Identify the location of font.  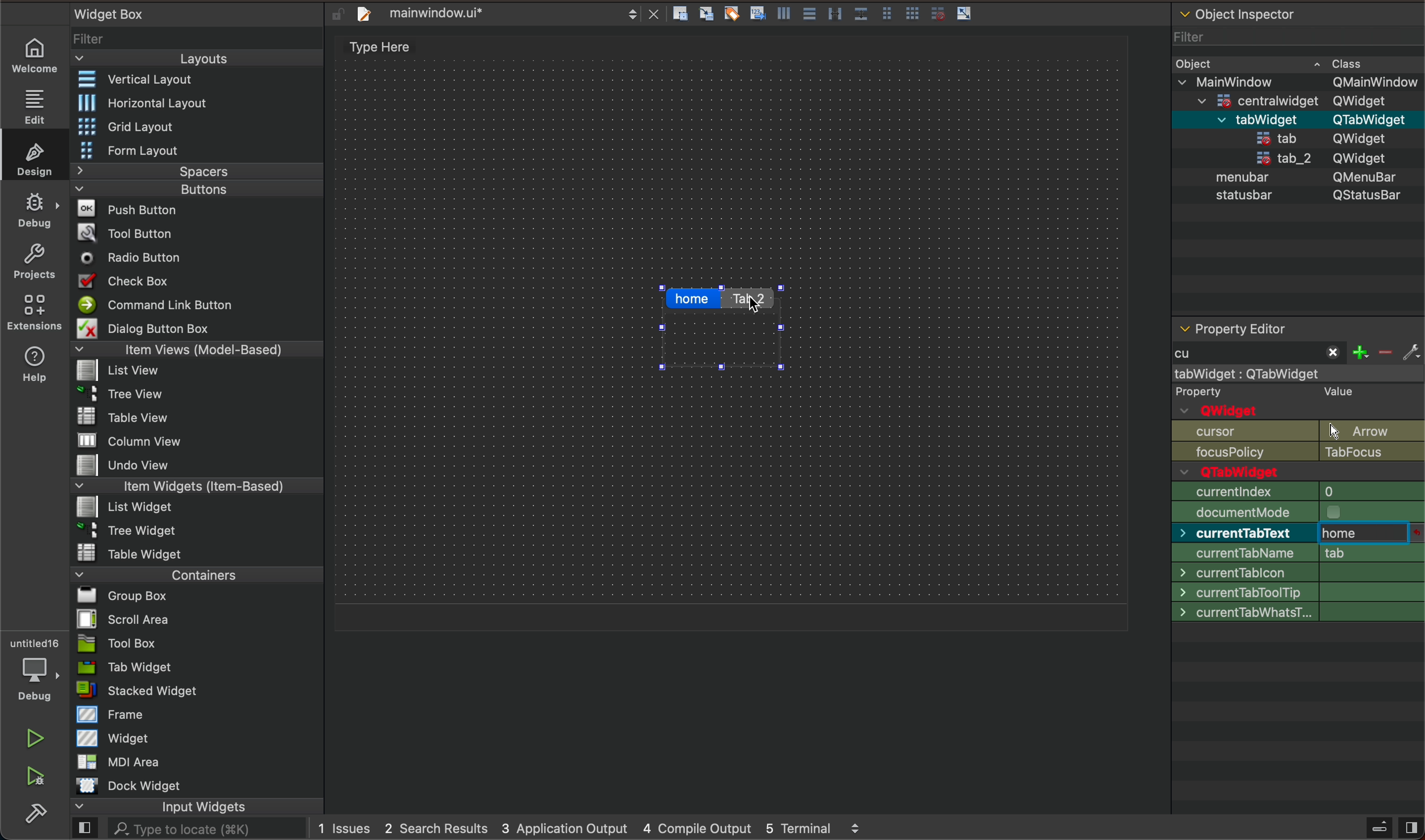
(1296, 630).